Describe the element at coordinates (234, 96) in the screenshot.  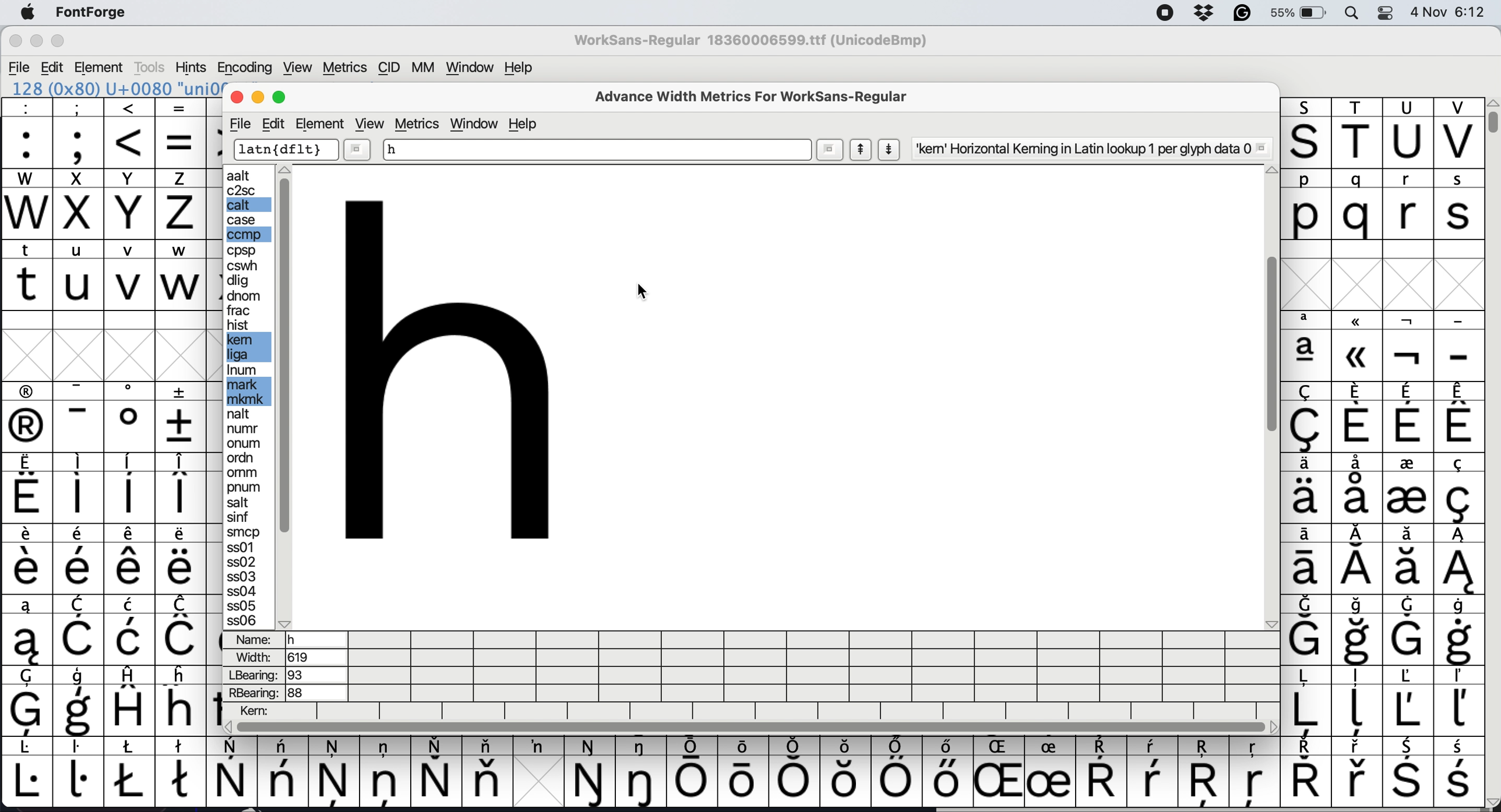
I see `close` at that location.